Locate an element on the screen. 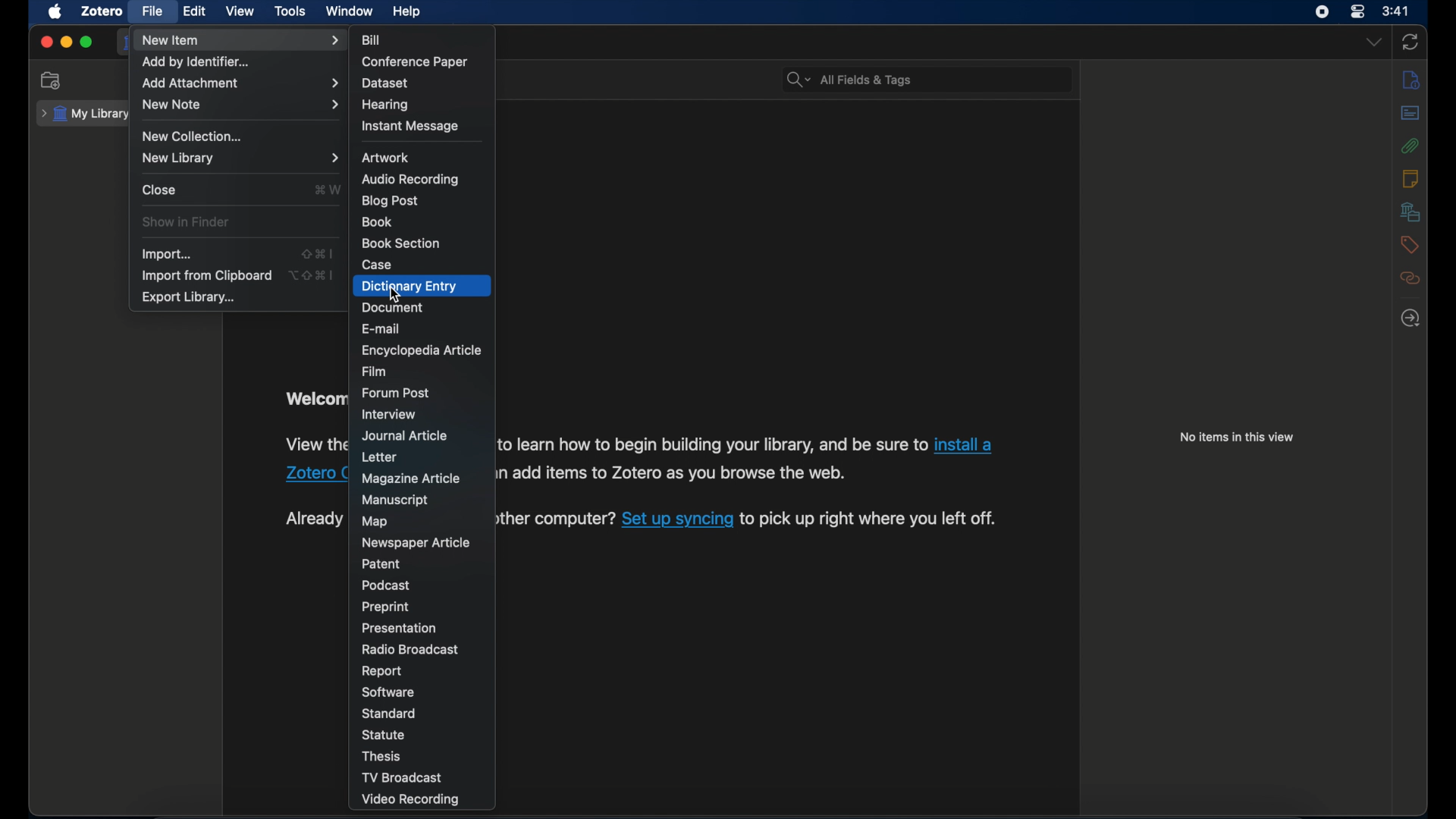 The width and height of the screenshot is (1456, 819). statue is located at coordinates (384, 734).